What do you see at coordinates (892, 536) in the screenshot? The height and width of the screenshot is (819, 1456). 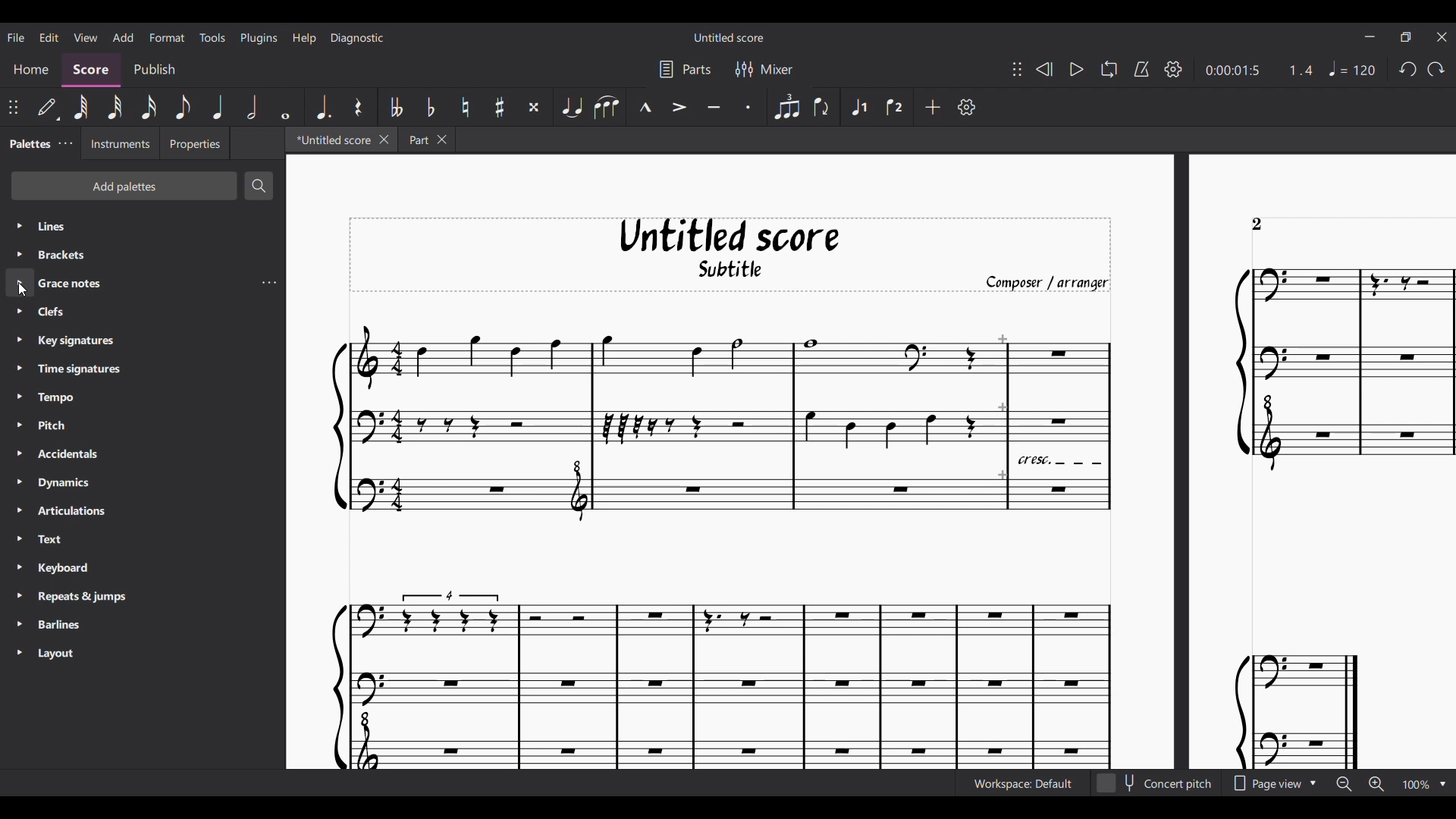 I see `Current score` at bounding box center [892, 536].